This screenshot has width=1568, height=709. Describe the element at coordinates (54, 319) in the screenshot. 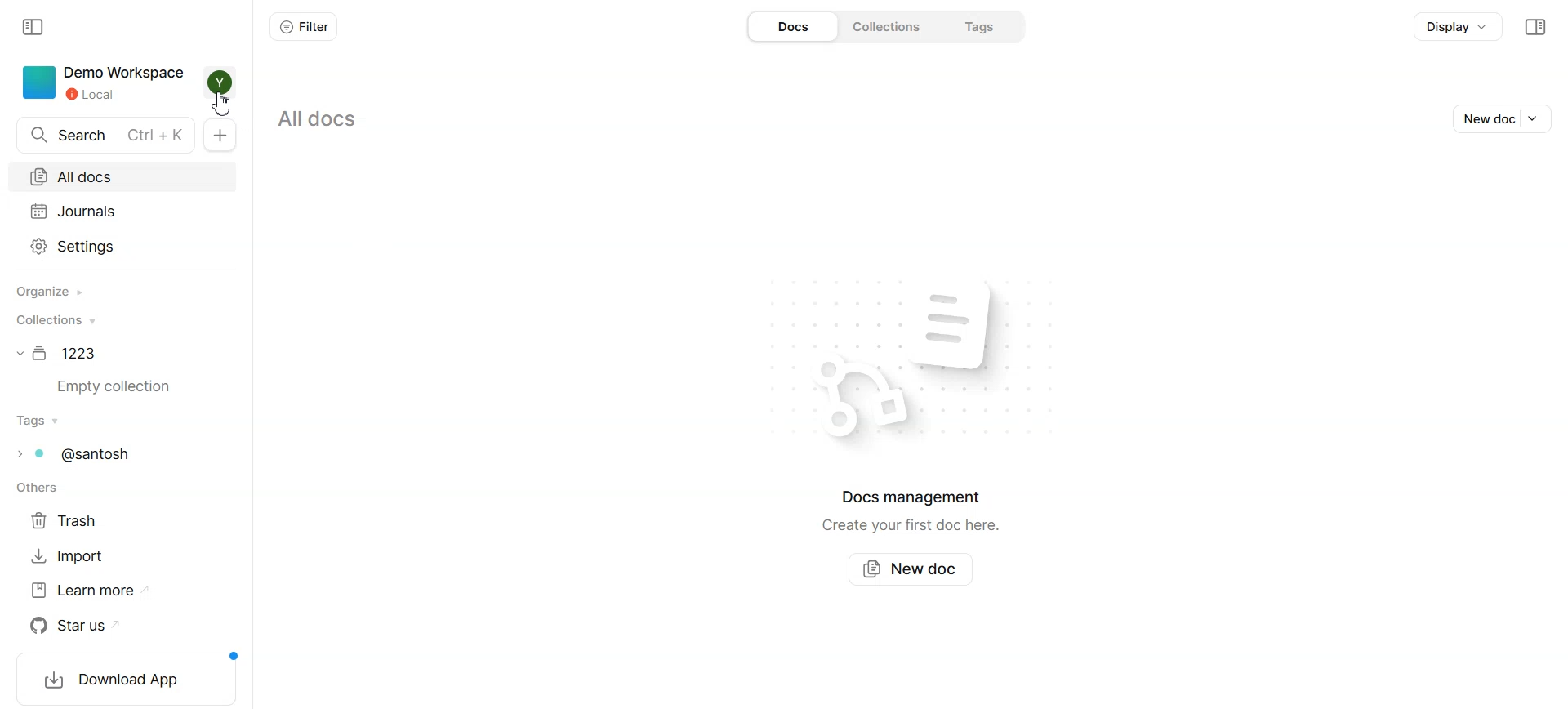

I see `Collections` at that location.